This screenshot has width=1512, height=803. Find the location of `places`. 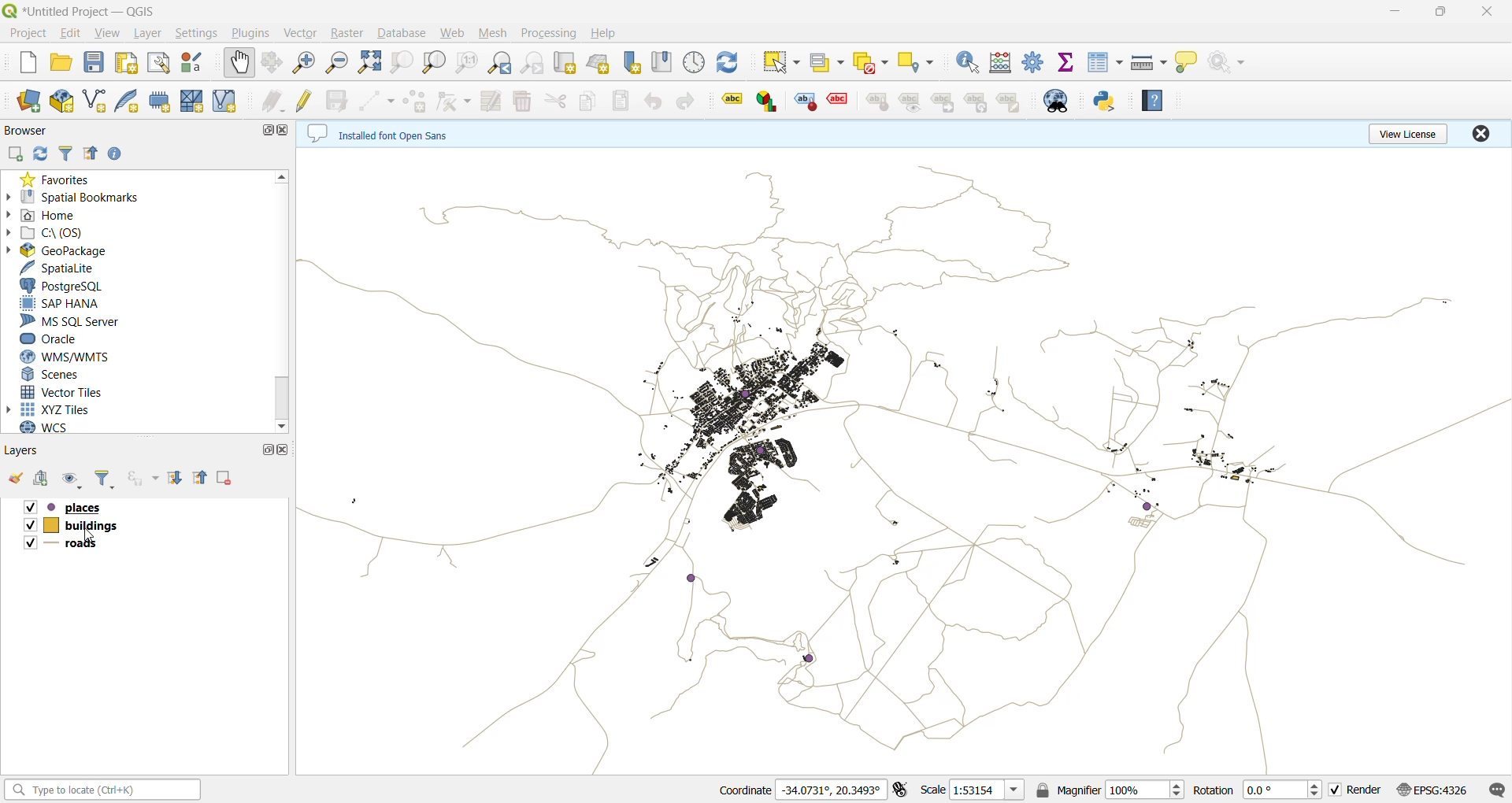

places is located at coordinates (87, 507).